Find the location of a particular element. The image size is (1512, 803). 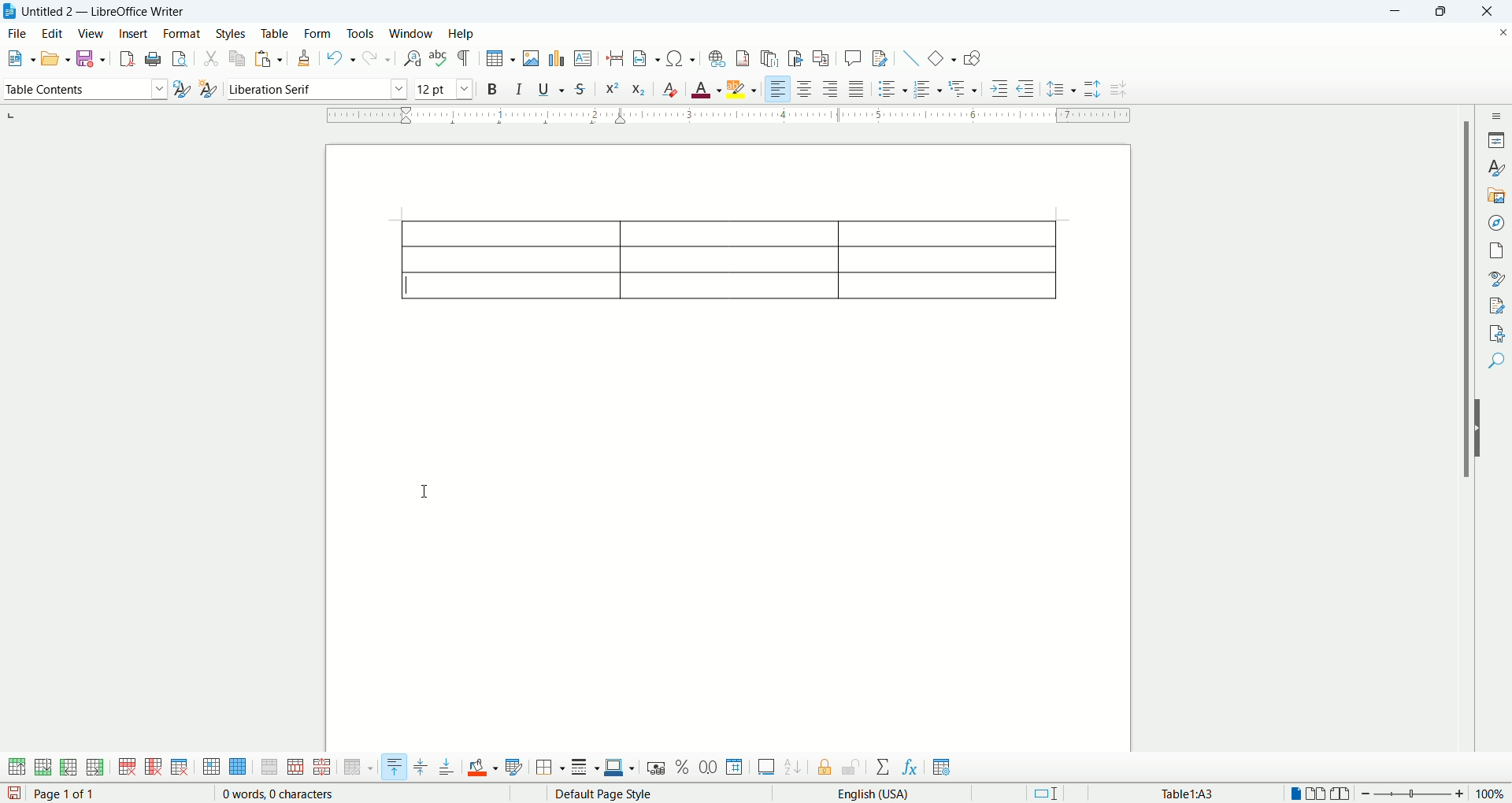

gallery is located at coordinates (1496, 197).